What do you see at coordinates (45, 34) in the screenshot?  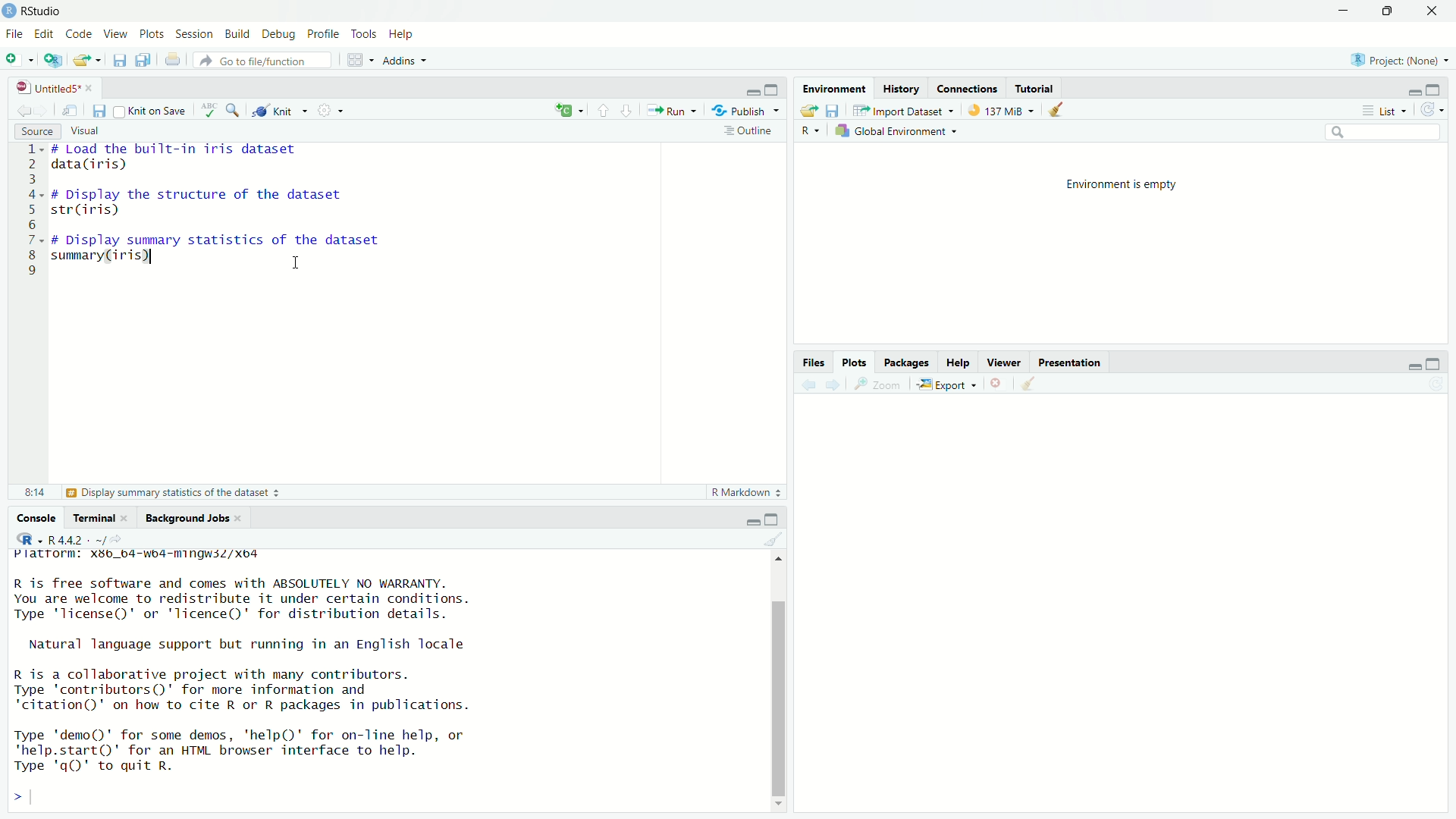 I see `Edit` at bounding box center [45, 34].